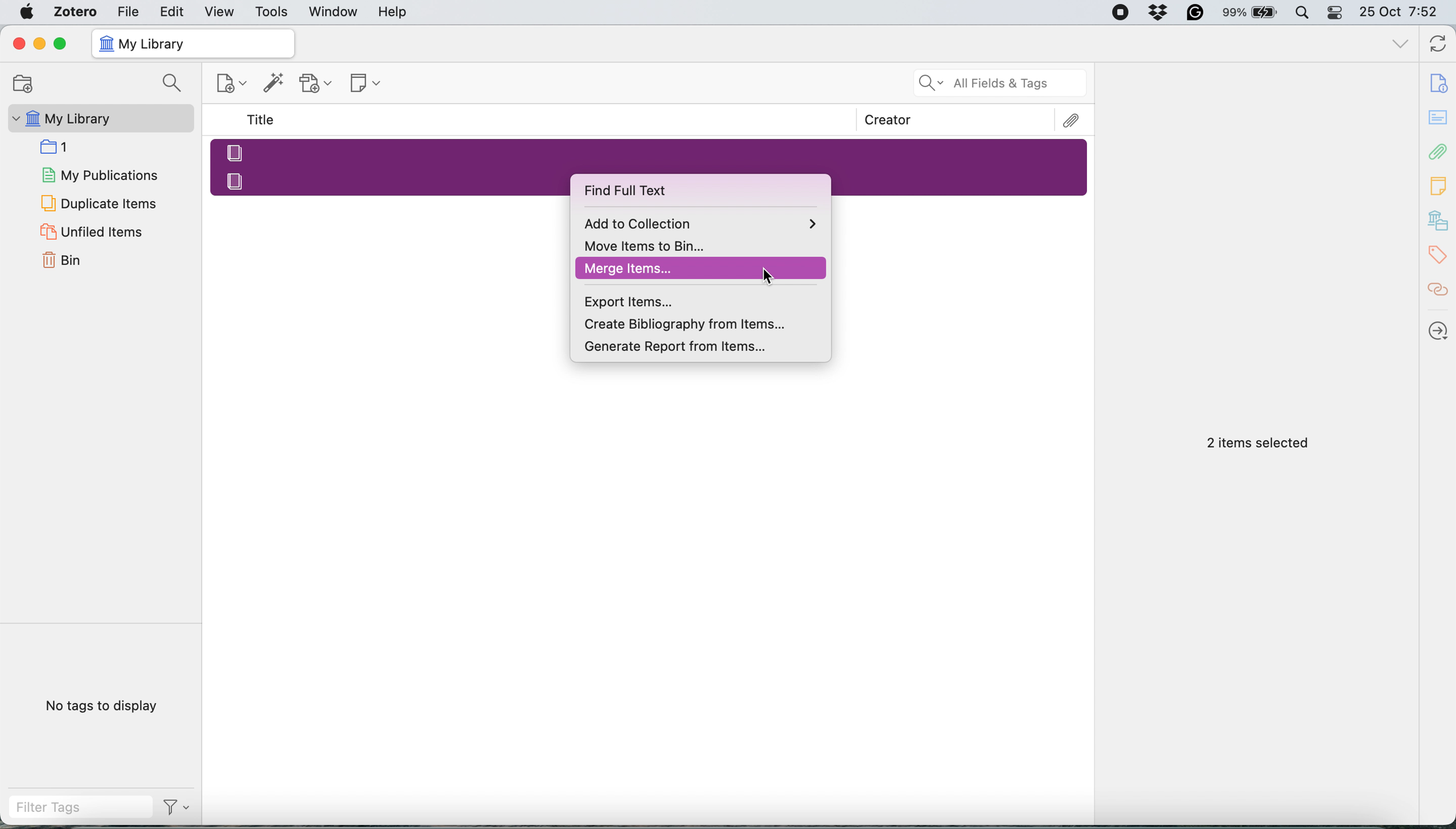 The width and height of the screenshot is (1456, 829). What do you see at coordinates (38, 44) in the screenshot?
I see `Minimize` at bounding box center [38, 44].